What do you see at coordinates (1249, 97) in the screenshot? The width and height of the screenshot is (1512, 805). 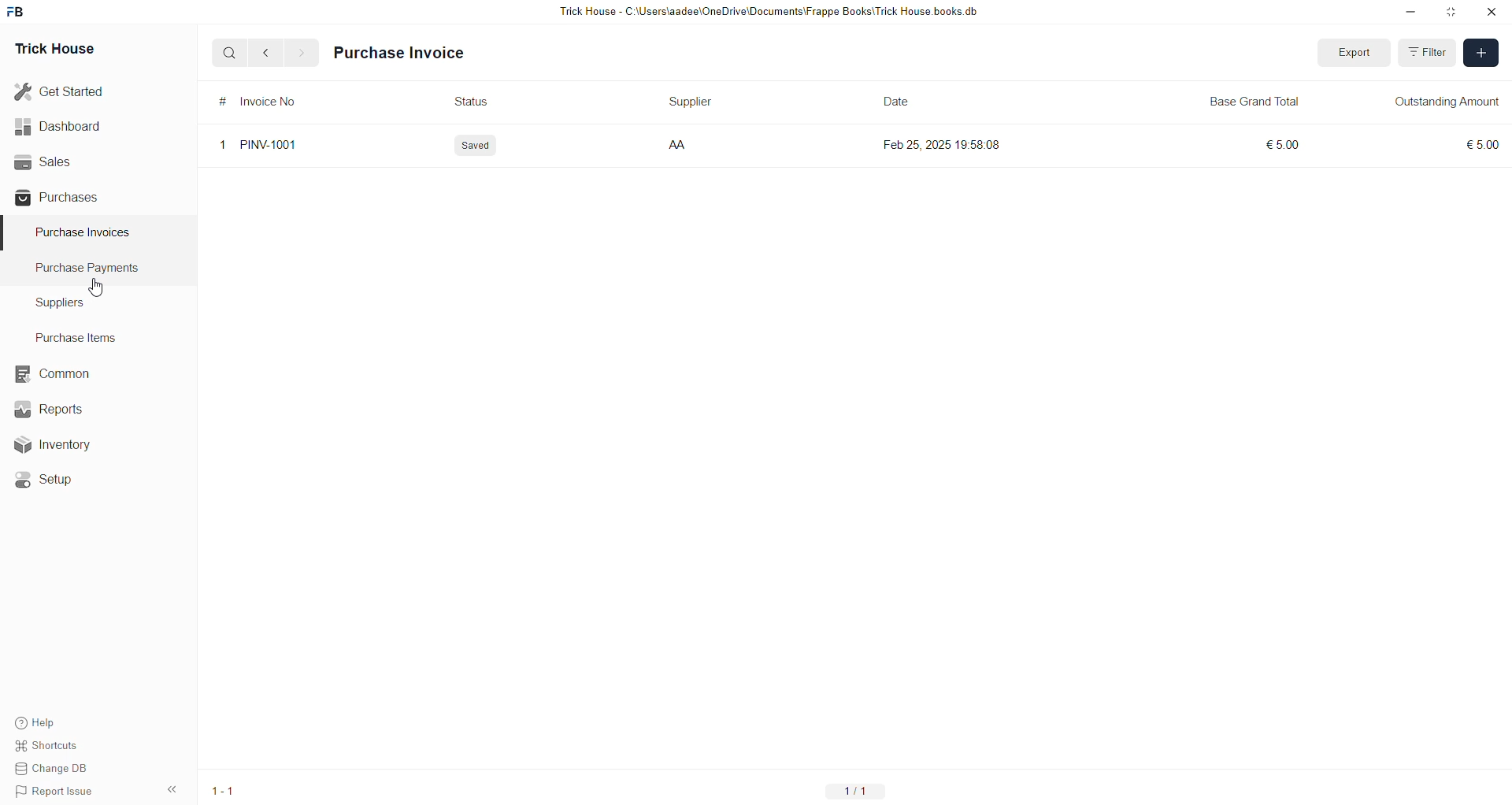 I see `Base Grand Total` at bounding box center [1249, 97].